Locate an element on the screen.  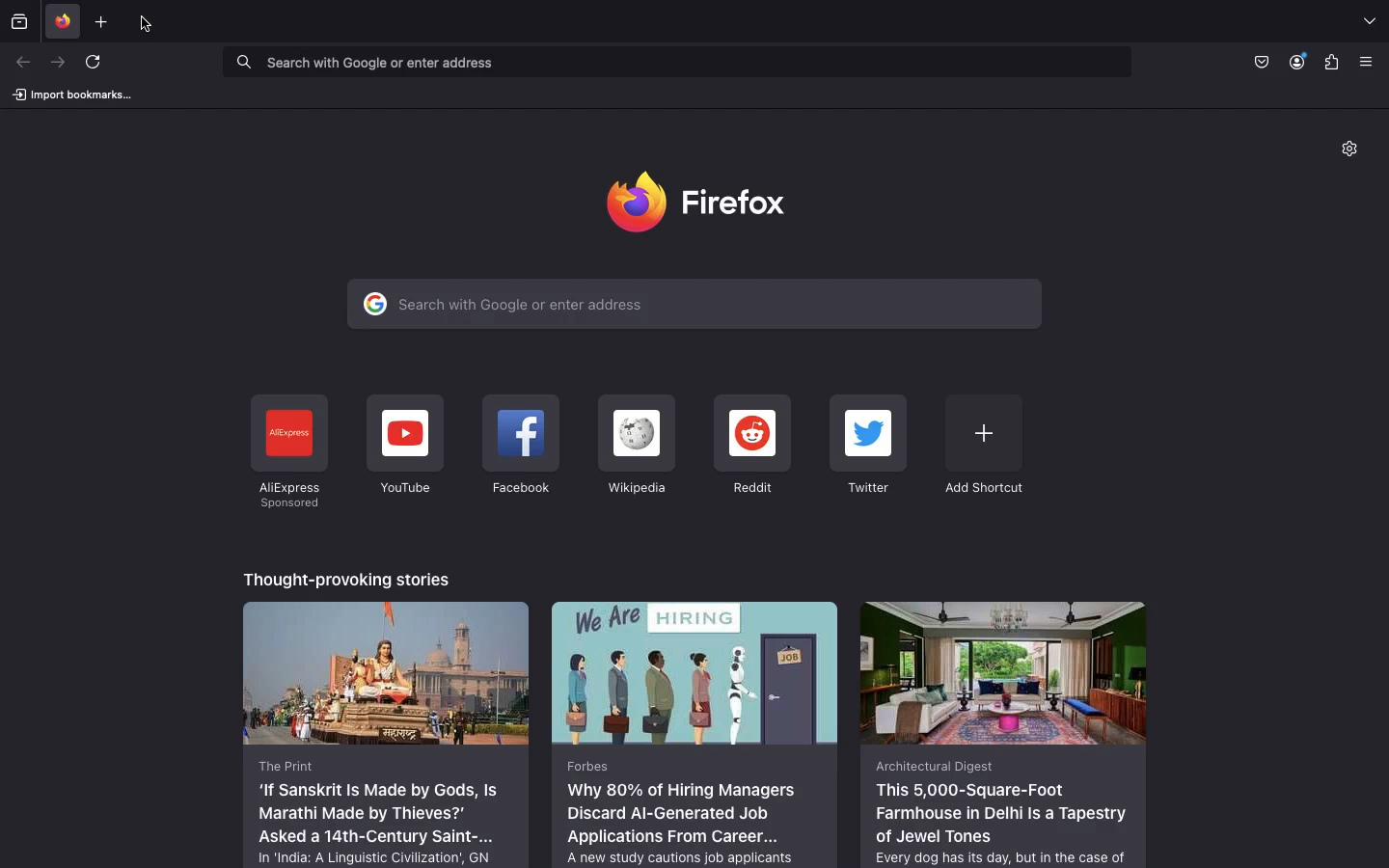
View Recent is located at coordinates (19, 20).